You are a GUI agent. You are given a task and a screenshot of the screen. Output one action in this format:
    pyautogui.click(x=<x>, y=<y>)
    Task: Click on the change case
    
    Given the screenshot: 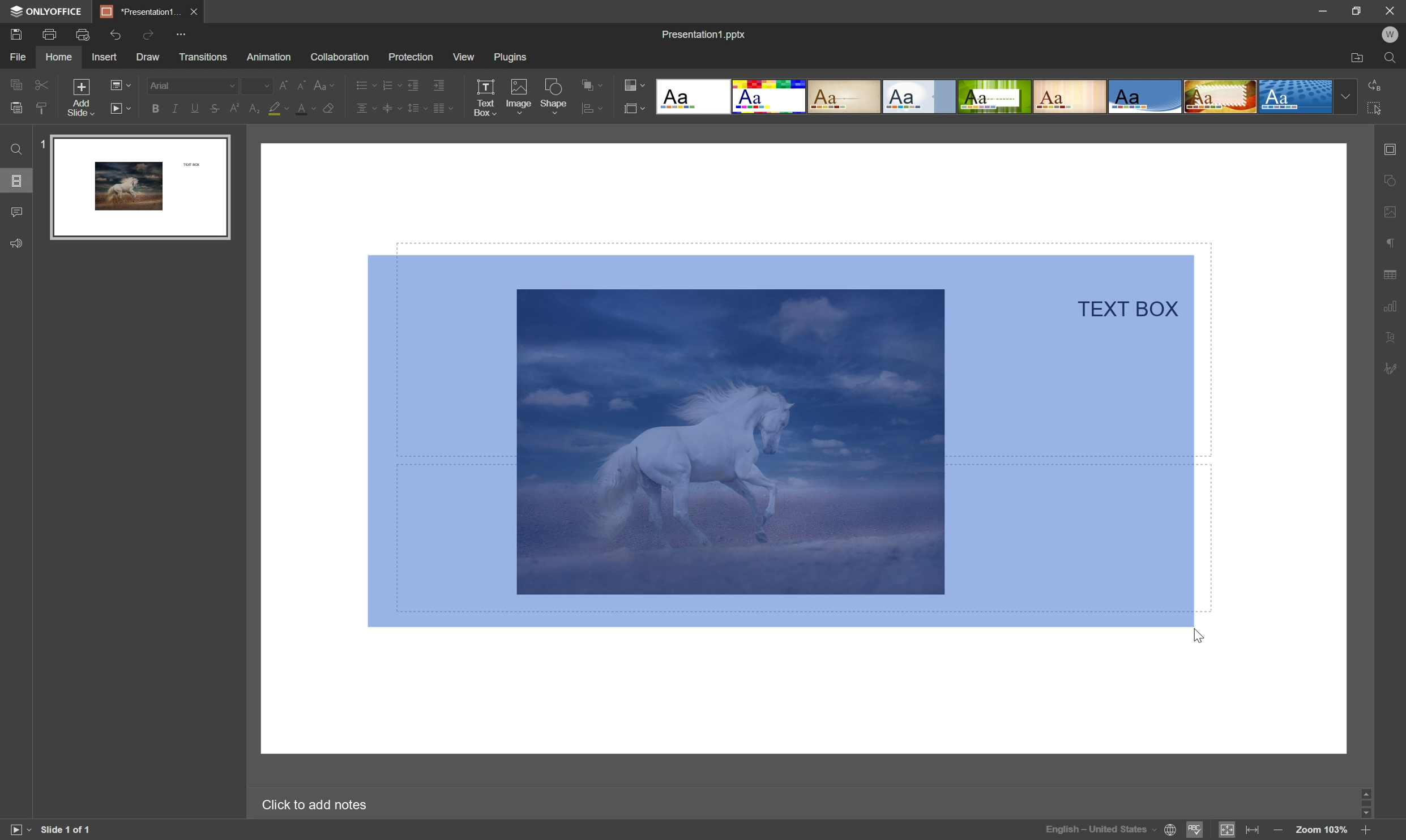 What is the action you would take?
    pyautogui.click(x=326, y=84)
    